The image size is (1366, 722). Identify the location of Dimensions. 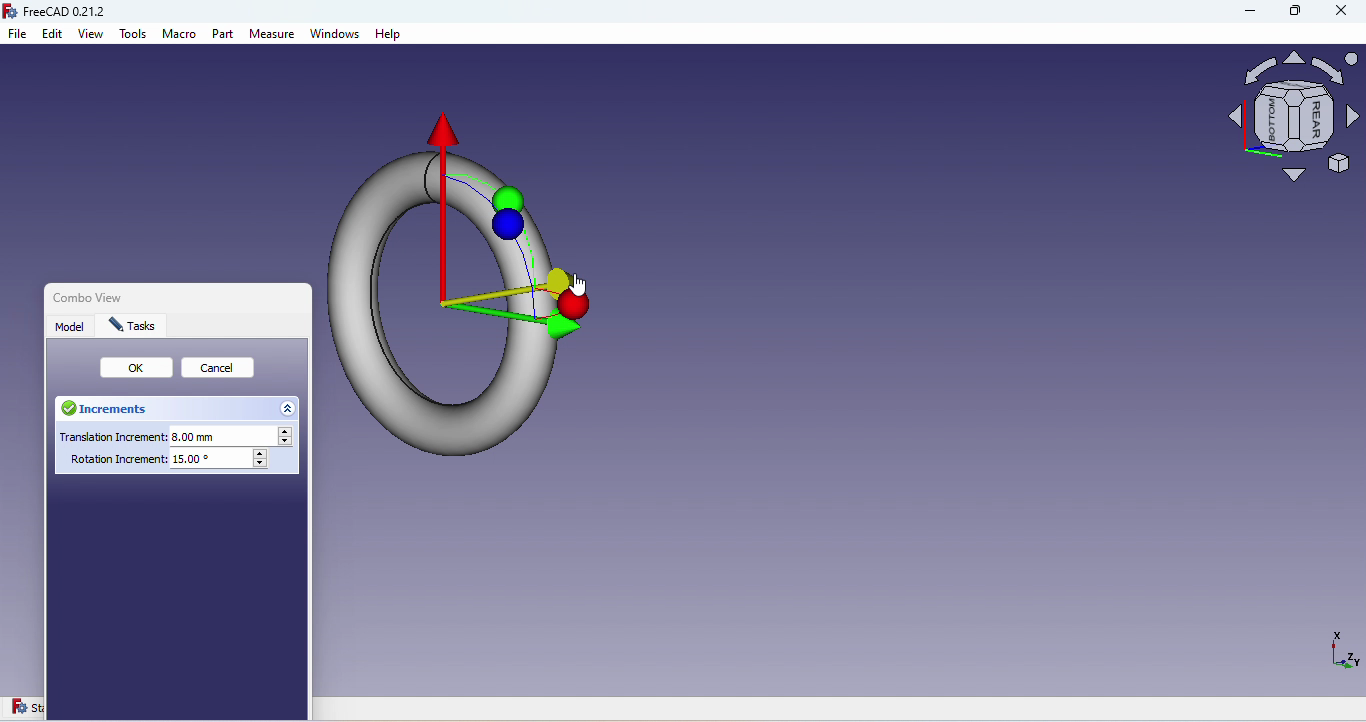
(1341, 656).